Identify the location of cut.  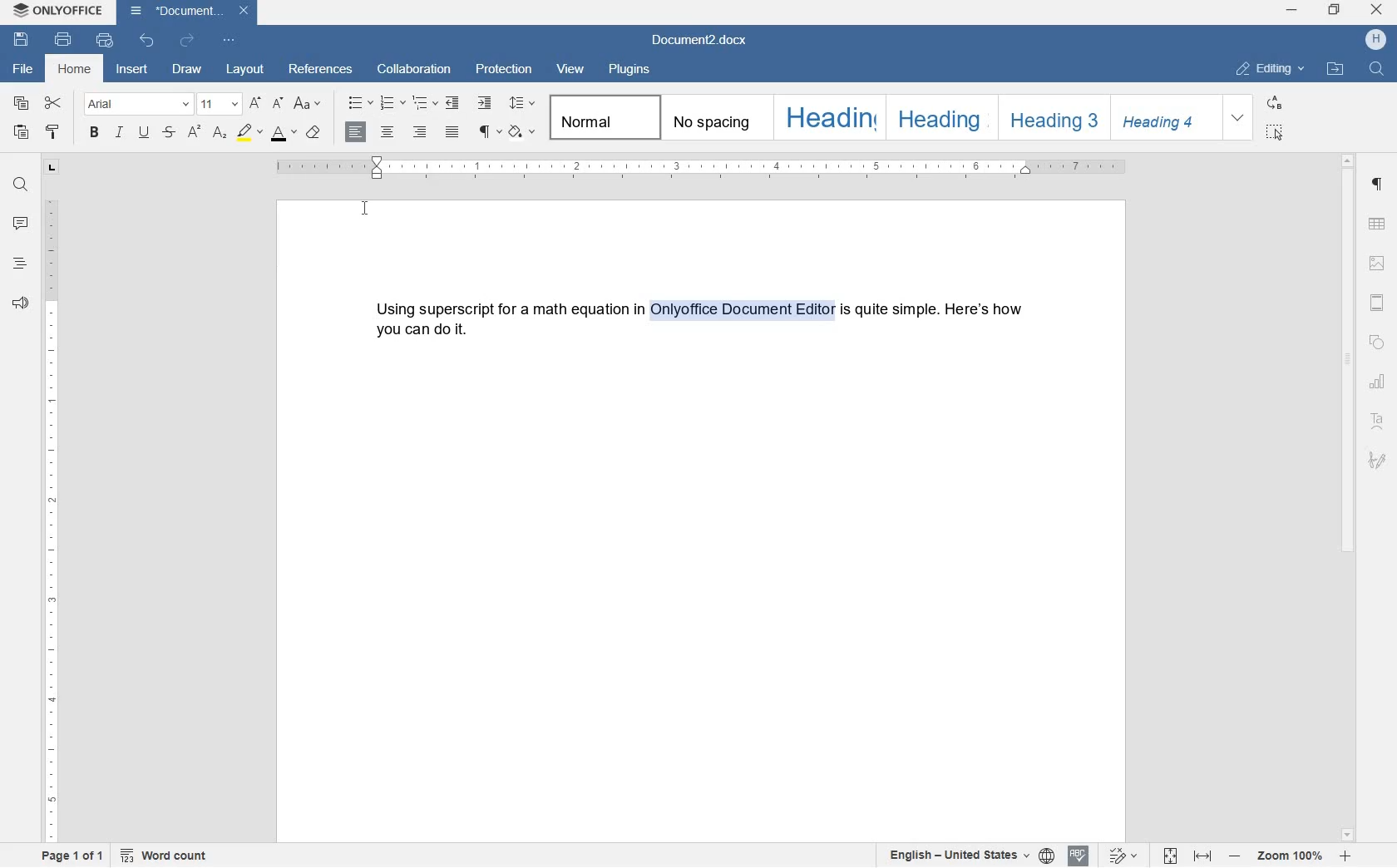
(54, 102).